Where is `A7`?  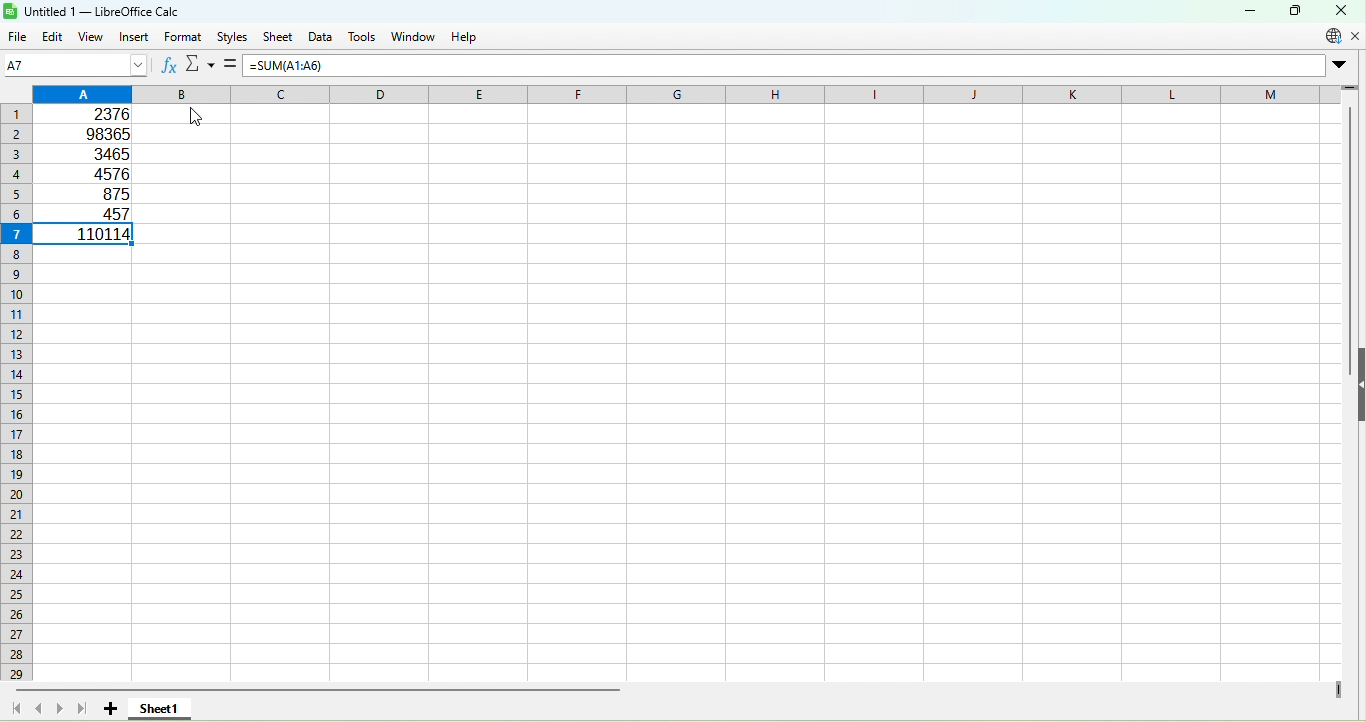 A7 is located at coordinates (41, 63).